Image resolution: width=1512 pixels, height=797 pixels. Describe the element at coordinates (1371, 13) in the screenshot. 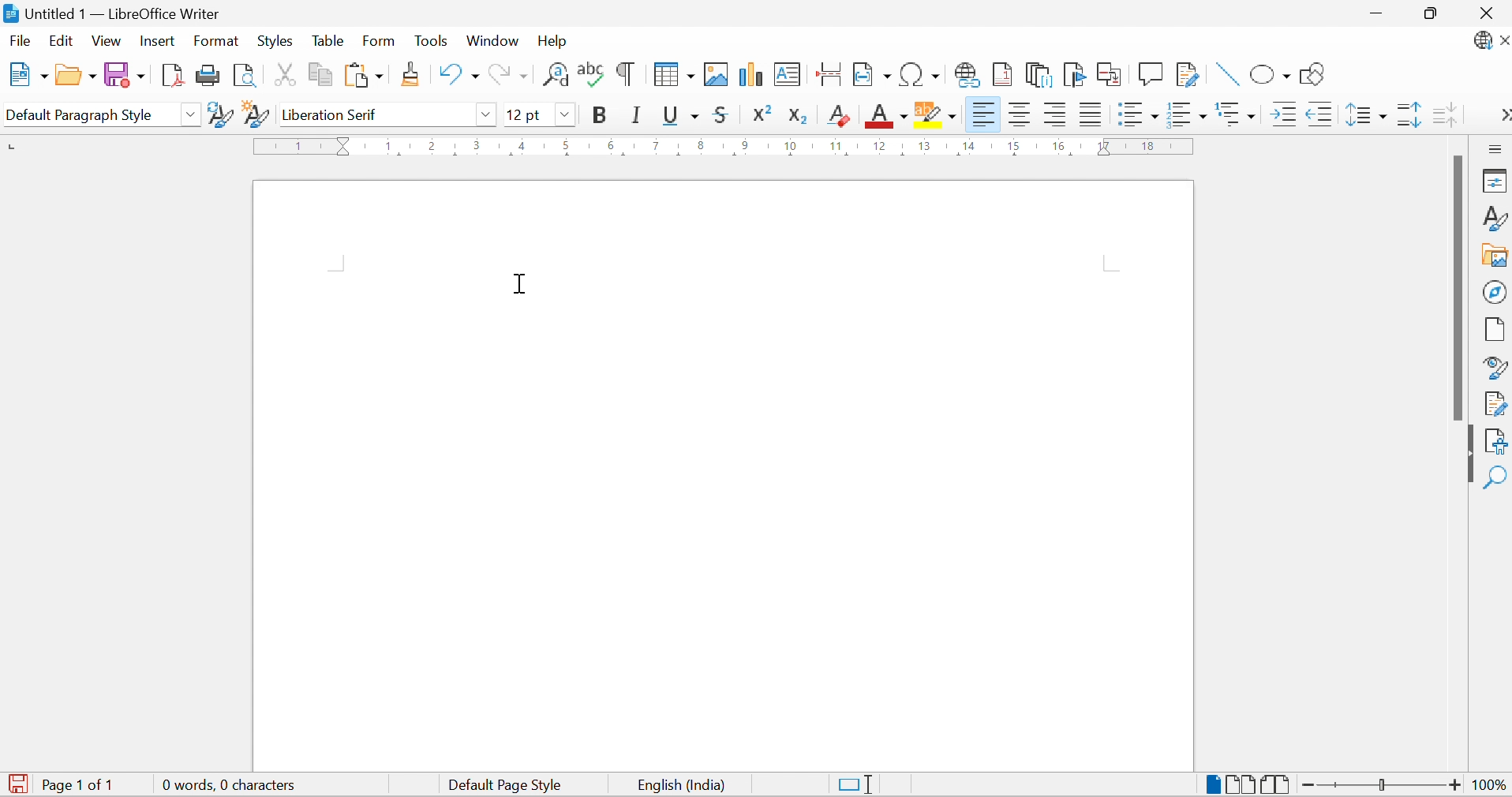

I see `Minimize` at that location.